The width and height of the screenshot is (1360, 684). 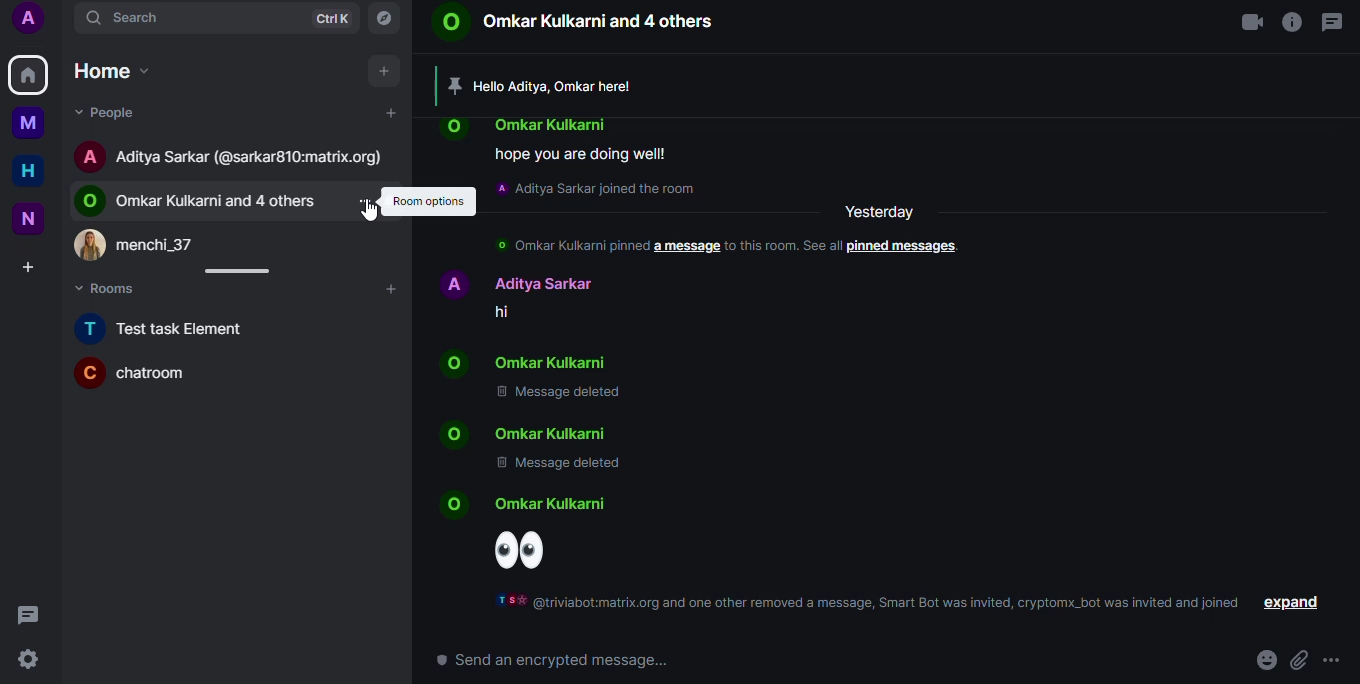 I want to click on cursor, so click(x=372, y=214).